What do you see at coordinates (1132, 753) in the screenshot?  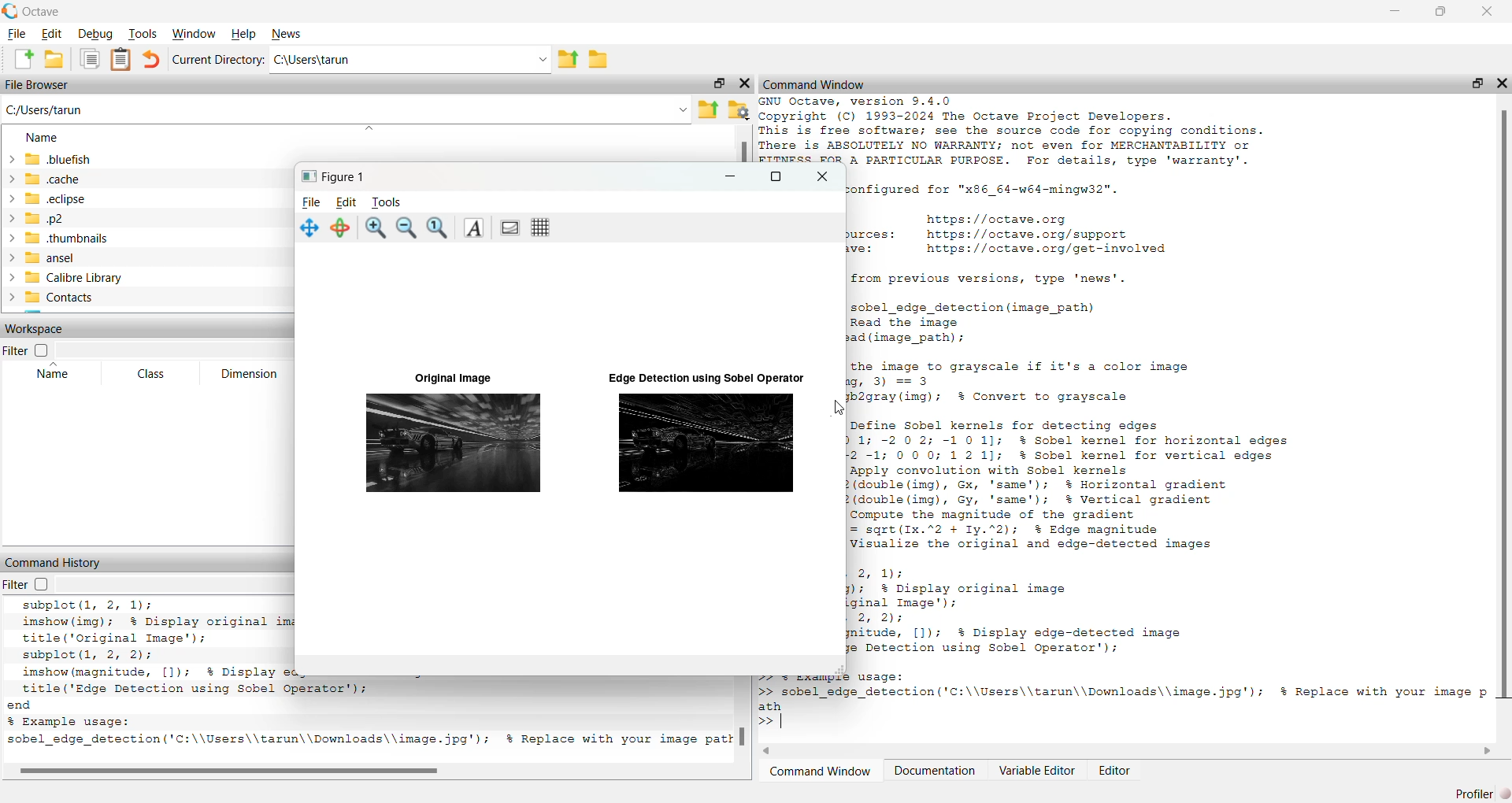 I see `horizontal scroll bar` at bounding box center [1132, 753].